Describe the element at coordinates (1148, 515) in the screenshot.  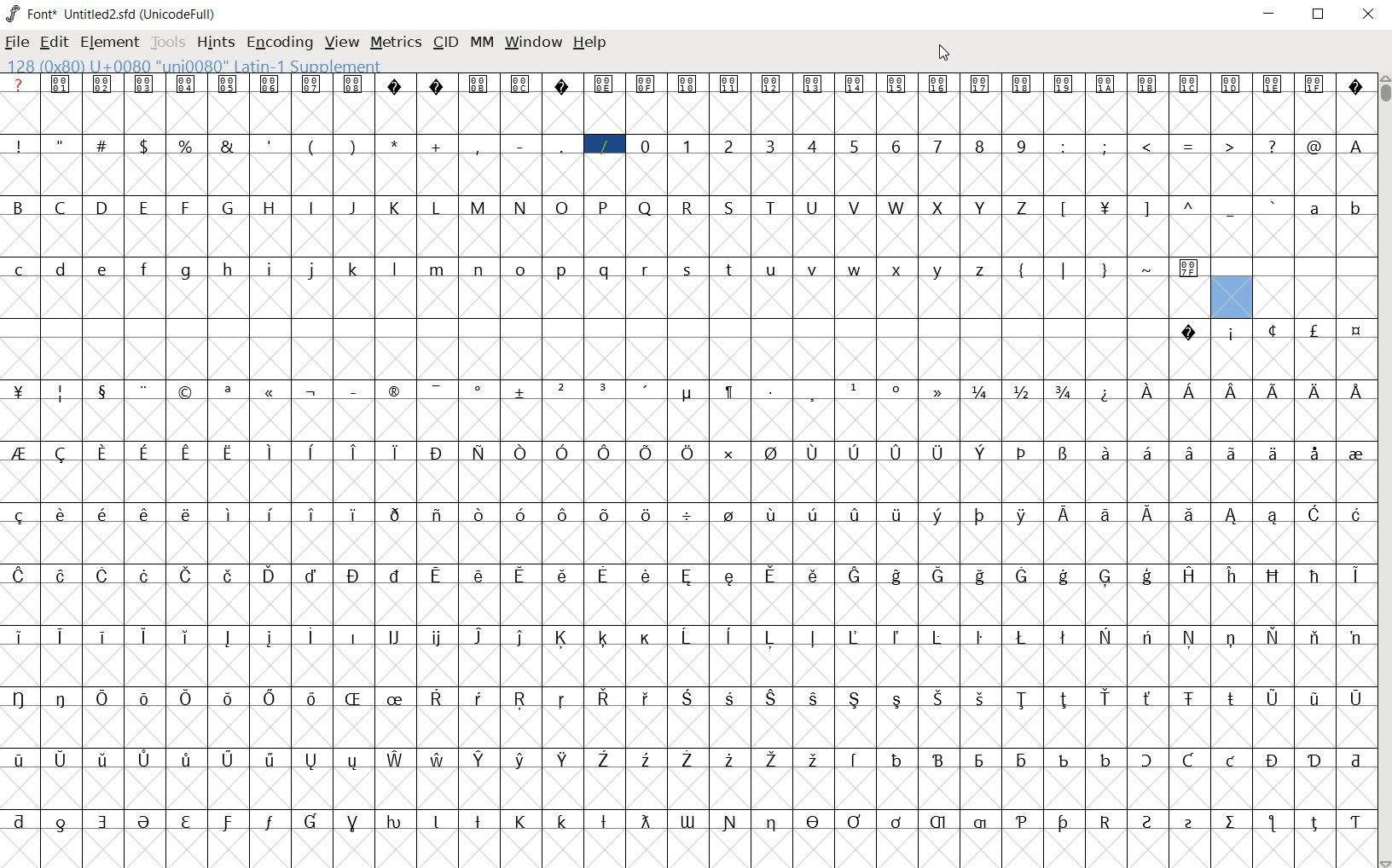
I see `glyph` at that location.